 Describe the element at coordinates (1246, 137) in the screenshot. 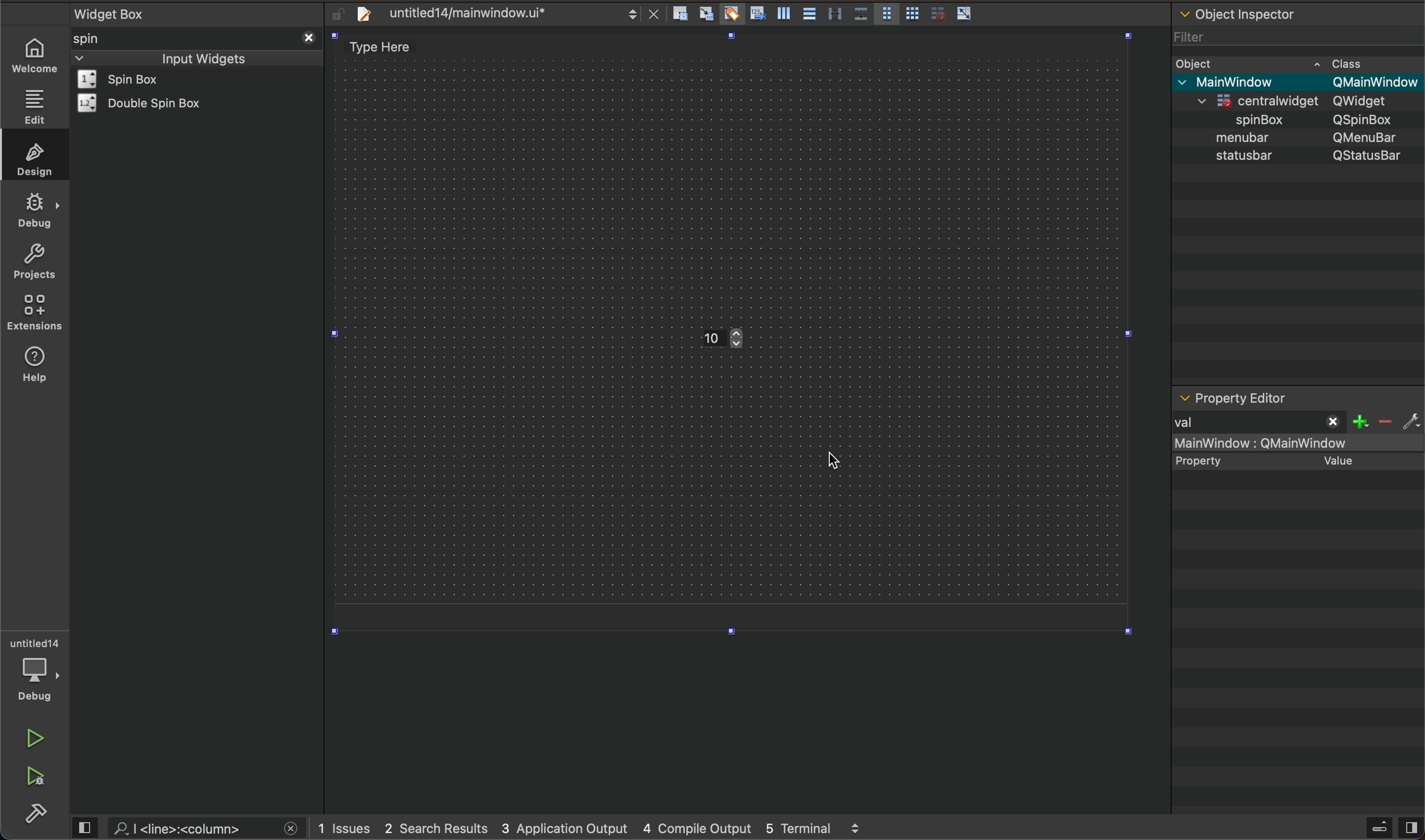

I see `object` at that location.